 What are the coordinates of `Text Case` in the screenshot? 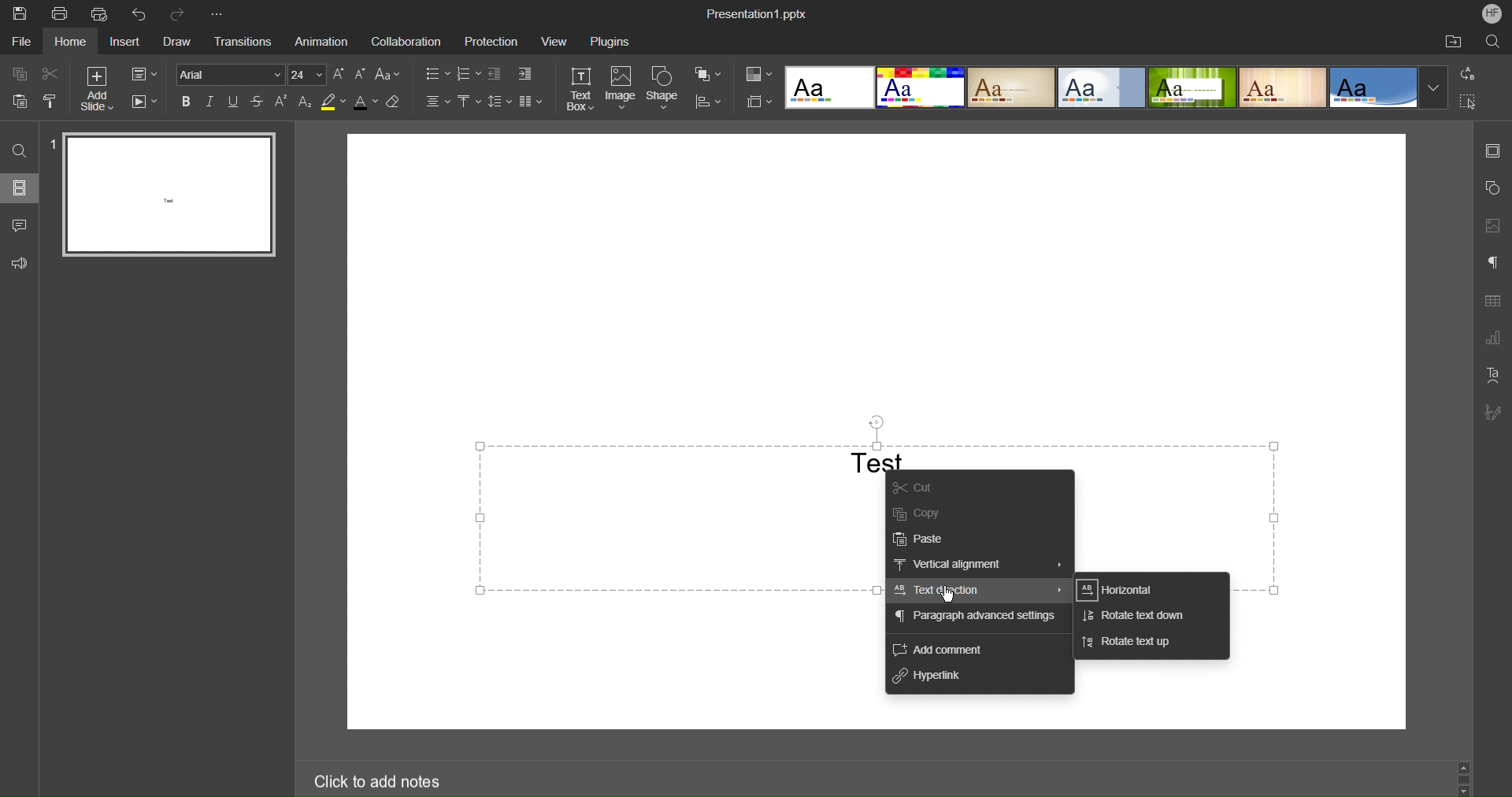 It's located at (389, 74).